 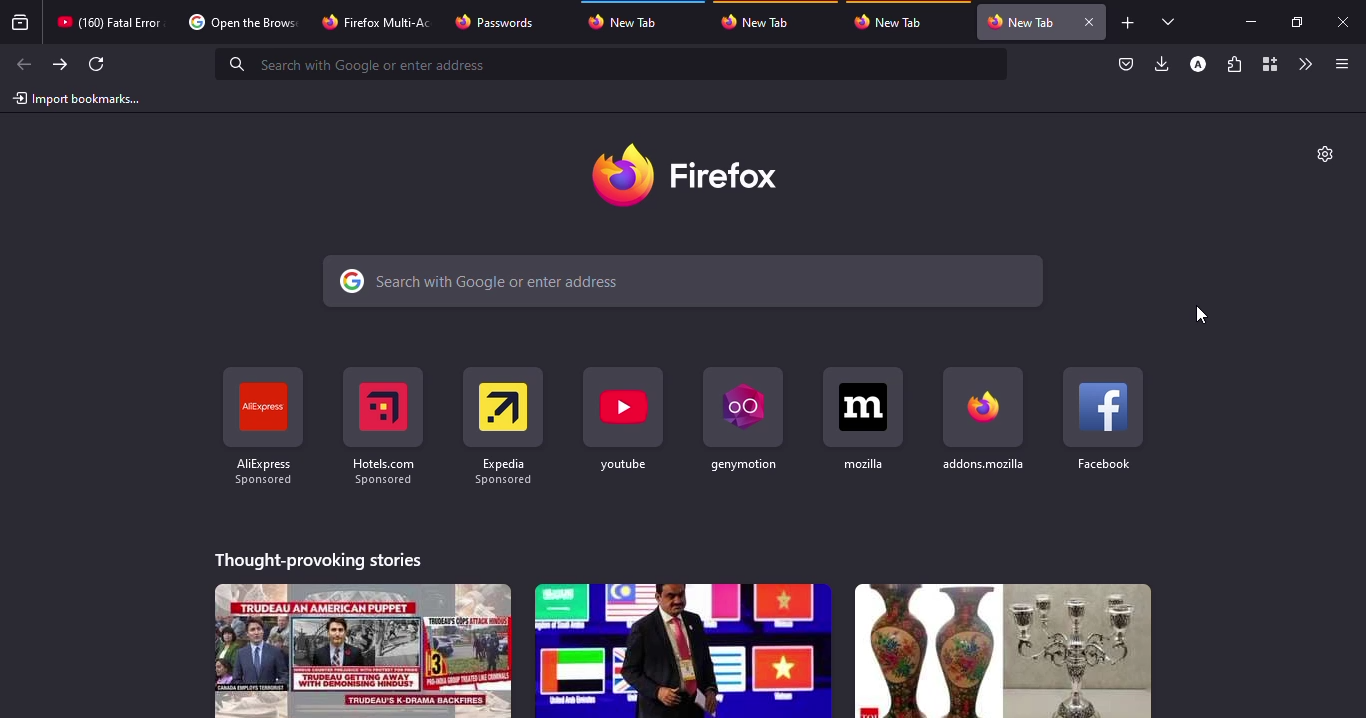 What do you see at coordinates (1306, 62) in the screenshot?
I see `more tools` at bounding box center [1306, 62].